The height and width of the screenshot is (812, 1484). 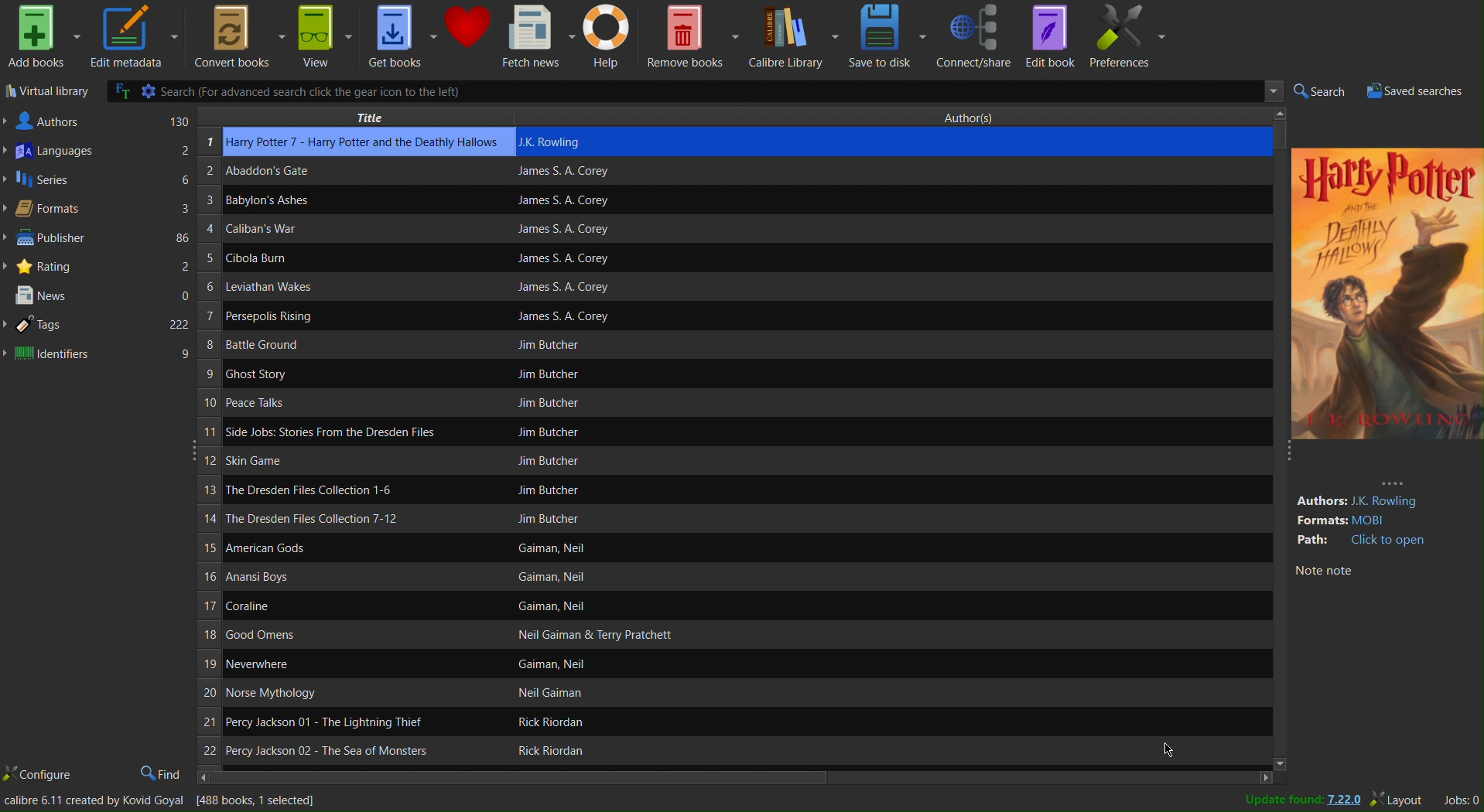 What do you see at coordinates (687, 462) in the screenshot?
I see `Author’s name` at bounding box center [687, 462].